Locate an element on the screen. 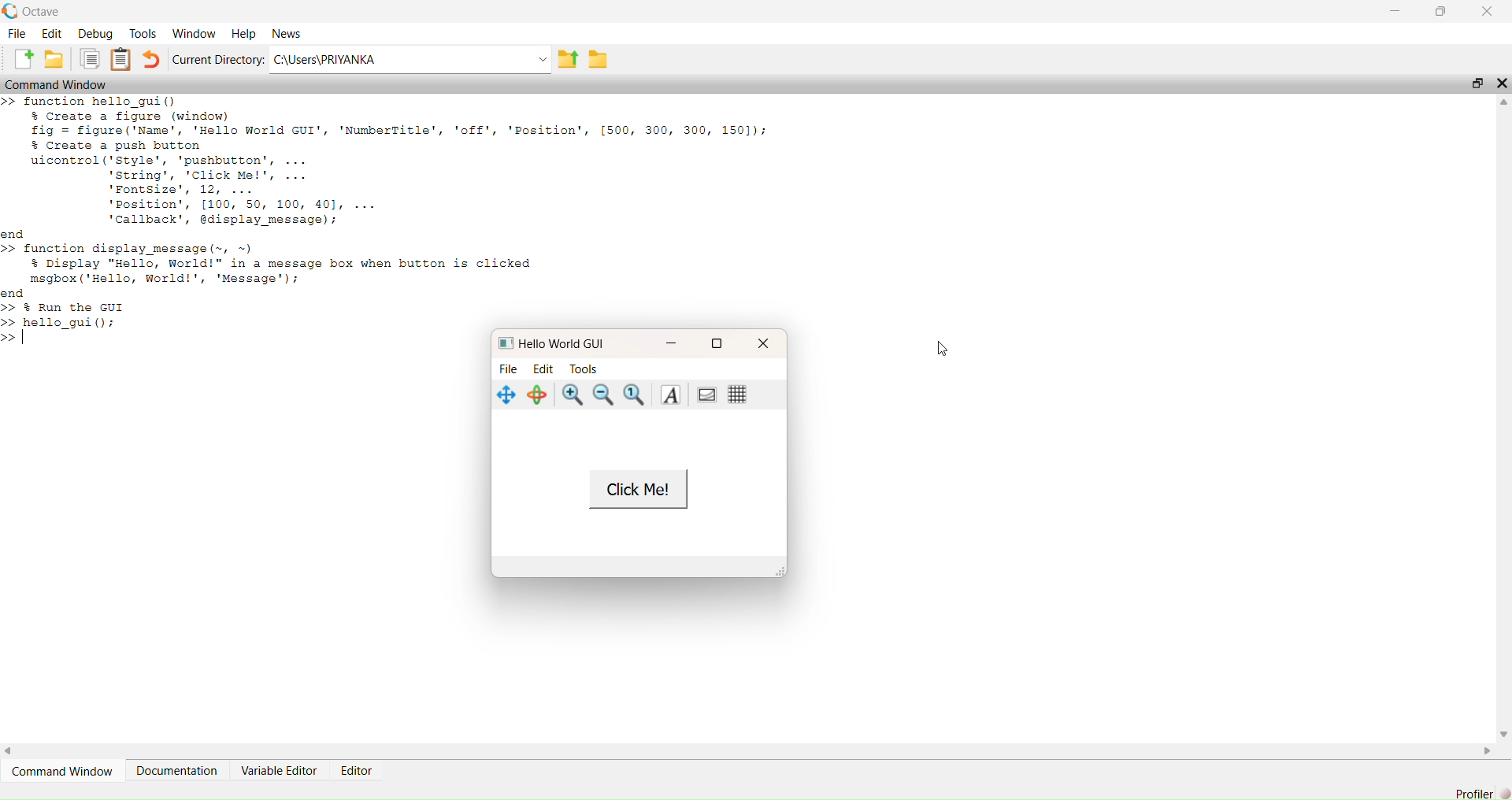 Image resolution: width=1512 pixels, height=800 pixels. File is located at coordinates (510, 369).